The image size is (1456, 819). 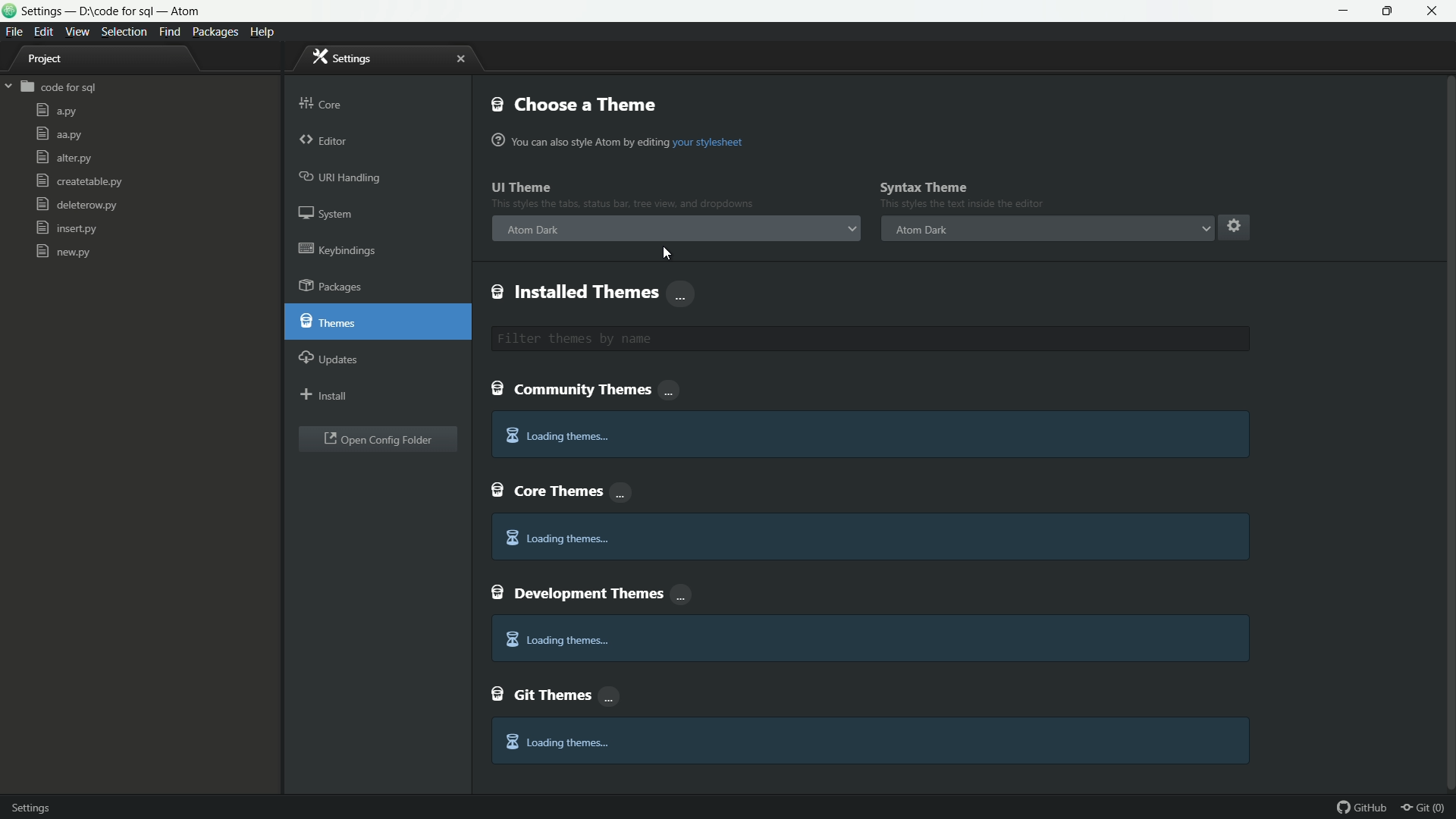 I want to click on close, so click(x=458, y=59).